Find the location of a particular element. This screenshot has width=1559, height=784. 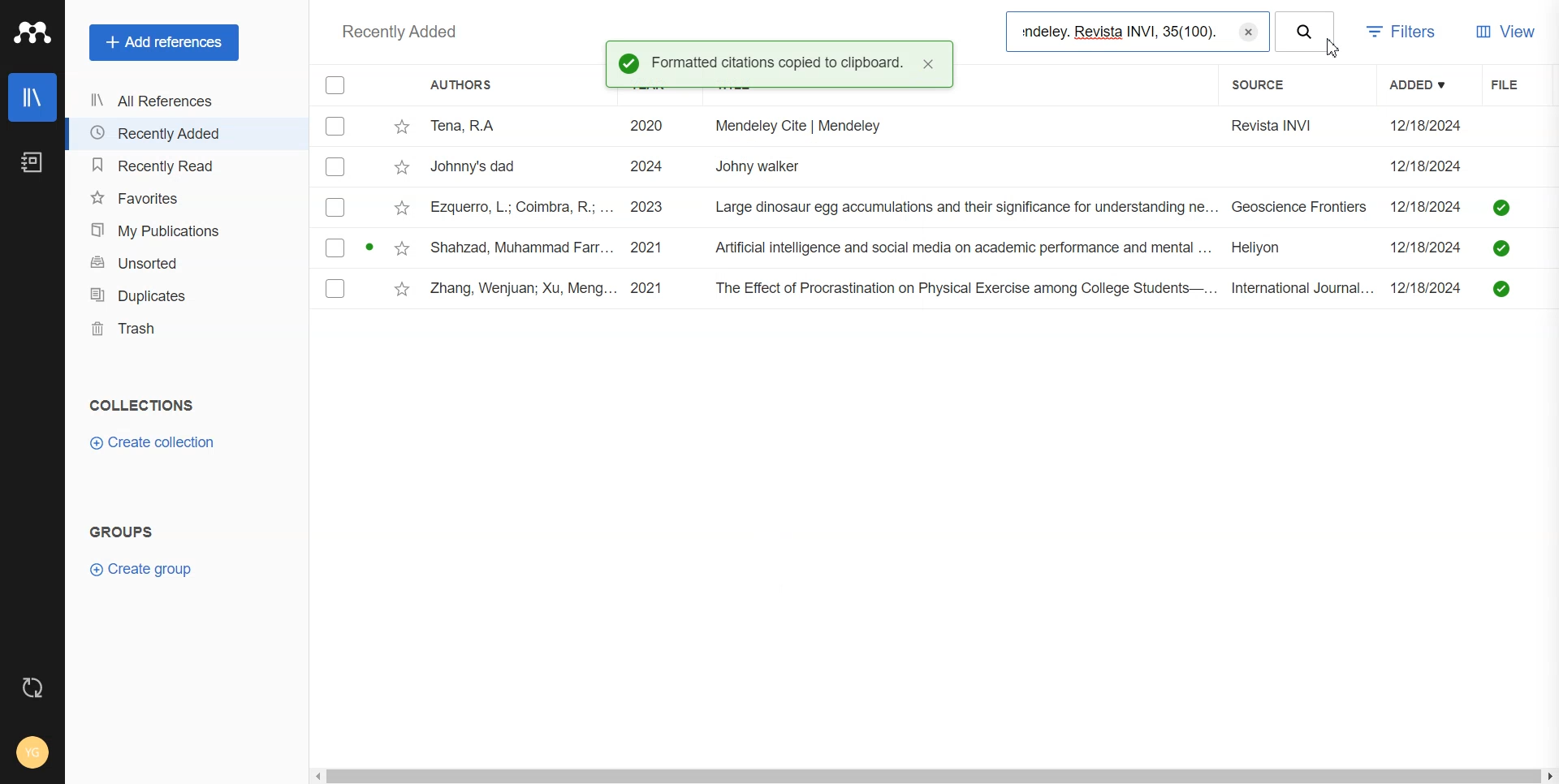

Erase is located at coordinates (1250, 30).